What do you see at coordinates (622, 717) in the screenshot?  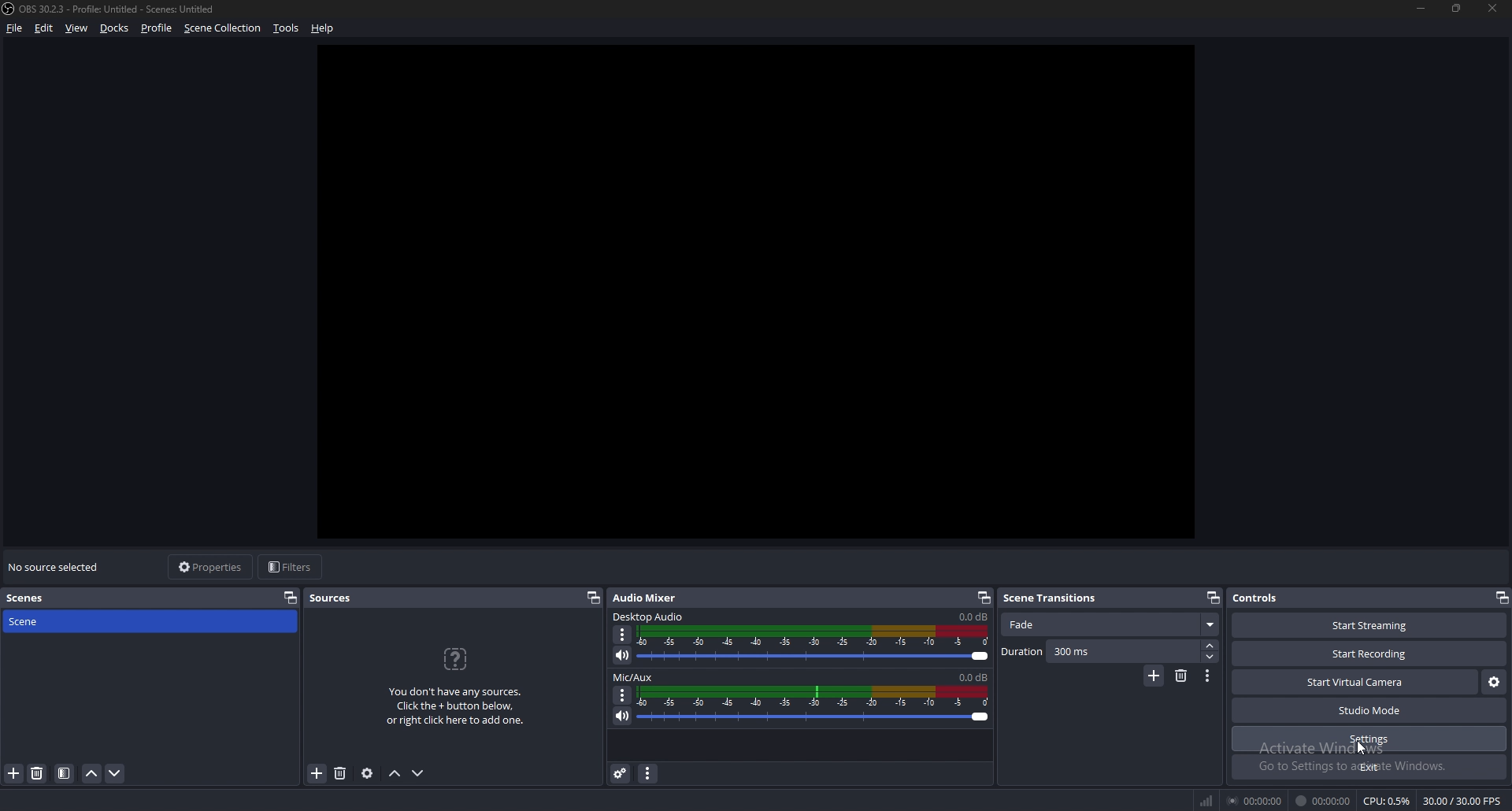 I see `mute` at bounding box center [622, 717].